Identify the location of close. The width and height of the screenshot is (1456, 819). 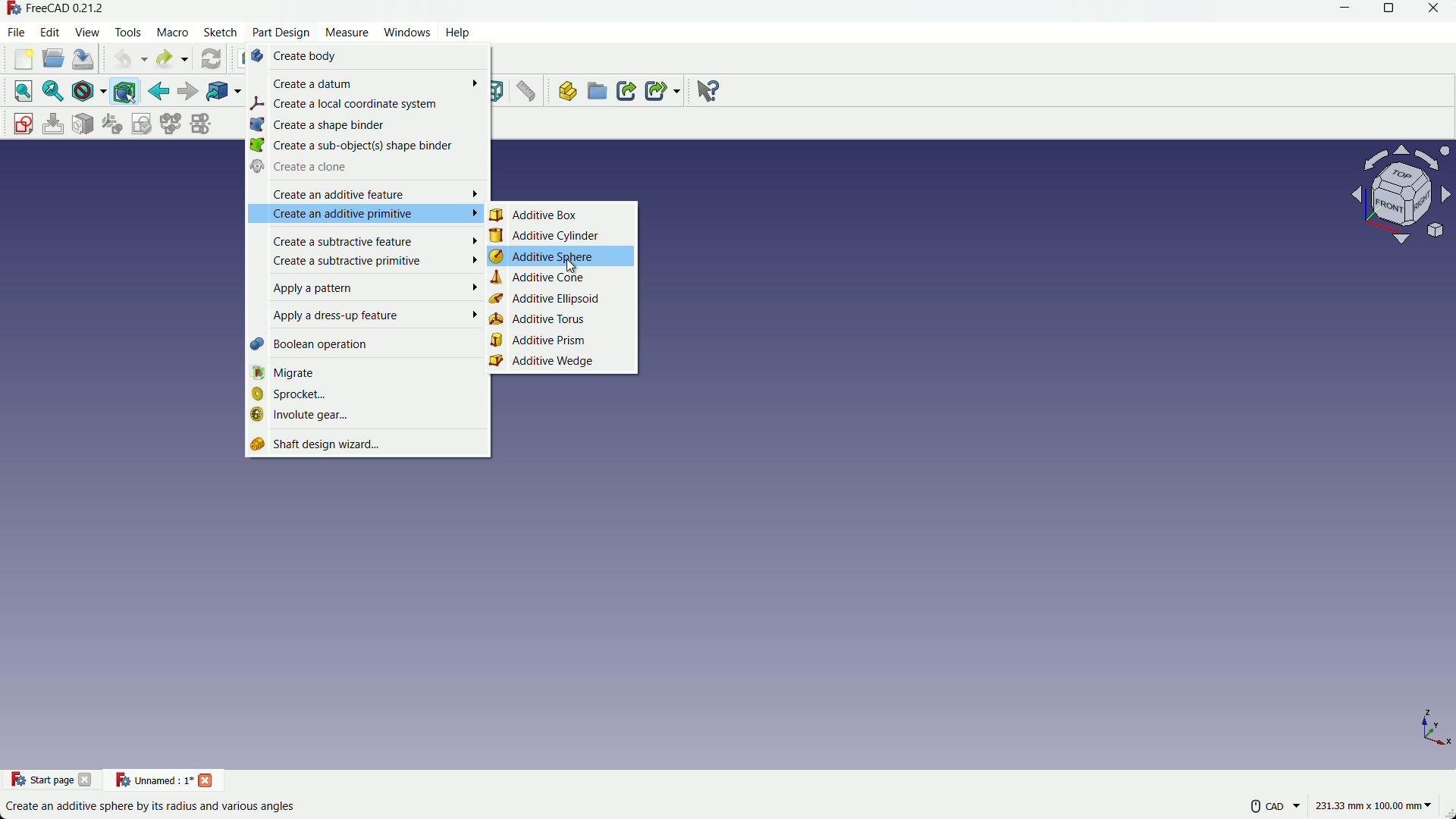
(1432, 9).